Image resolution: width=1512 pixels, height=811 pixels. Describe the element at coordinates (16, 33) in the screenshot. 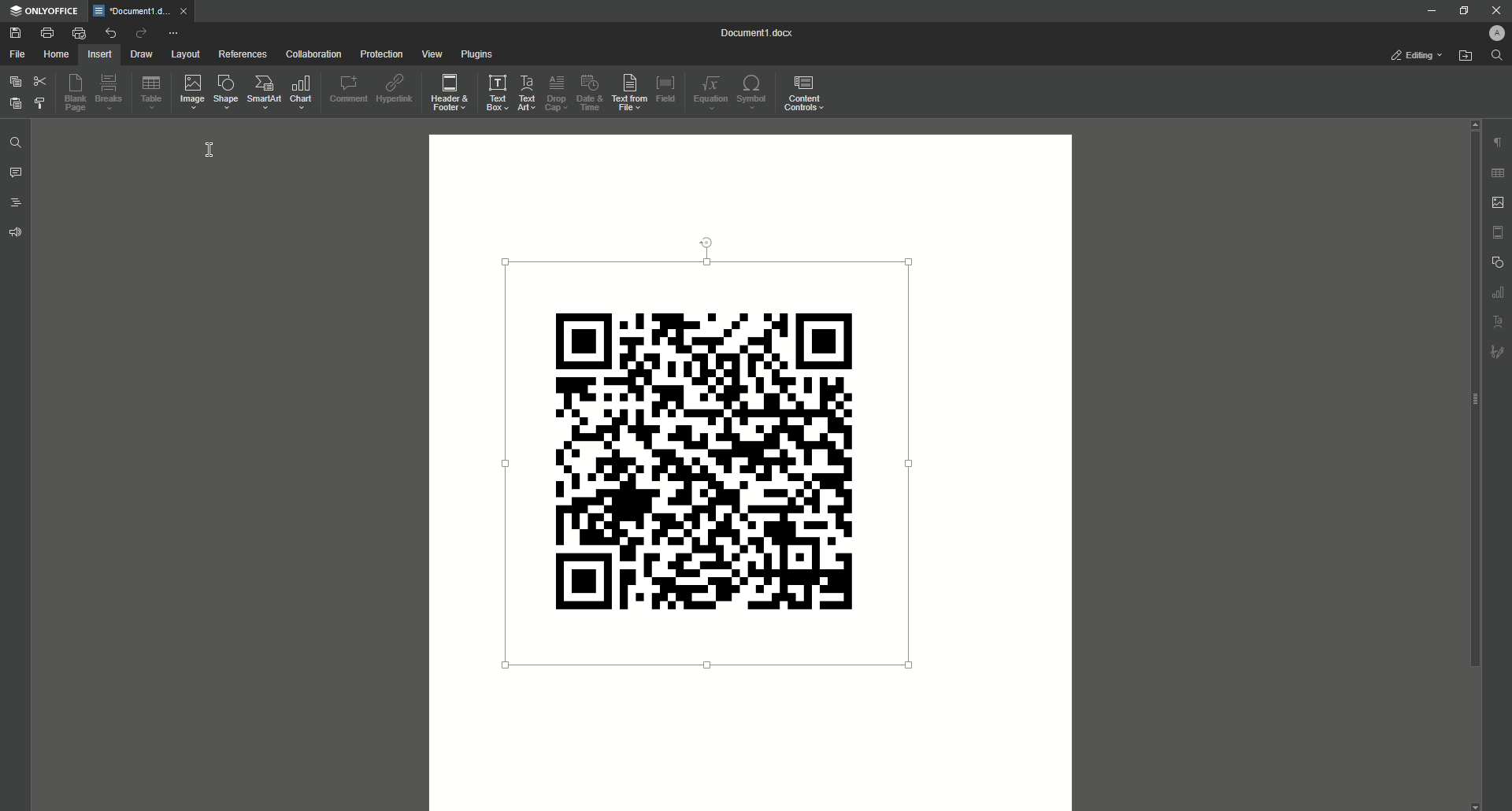

I see `Save` at that location.